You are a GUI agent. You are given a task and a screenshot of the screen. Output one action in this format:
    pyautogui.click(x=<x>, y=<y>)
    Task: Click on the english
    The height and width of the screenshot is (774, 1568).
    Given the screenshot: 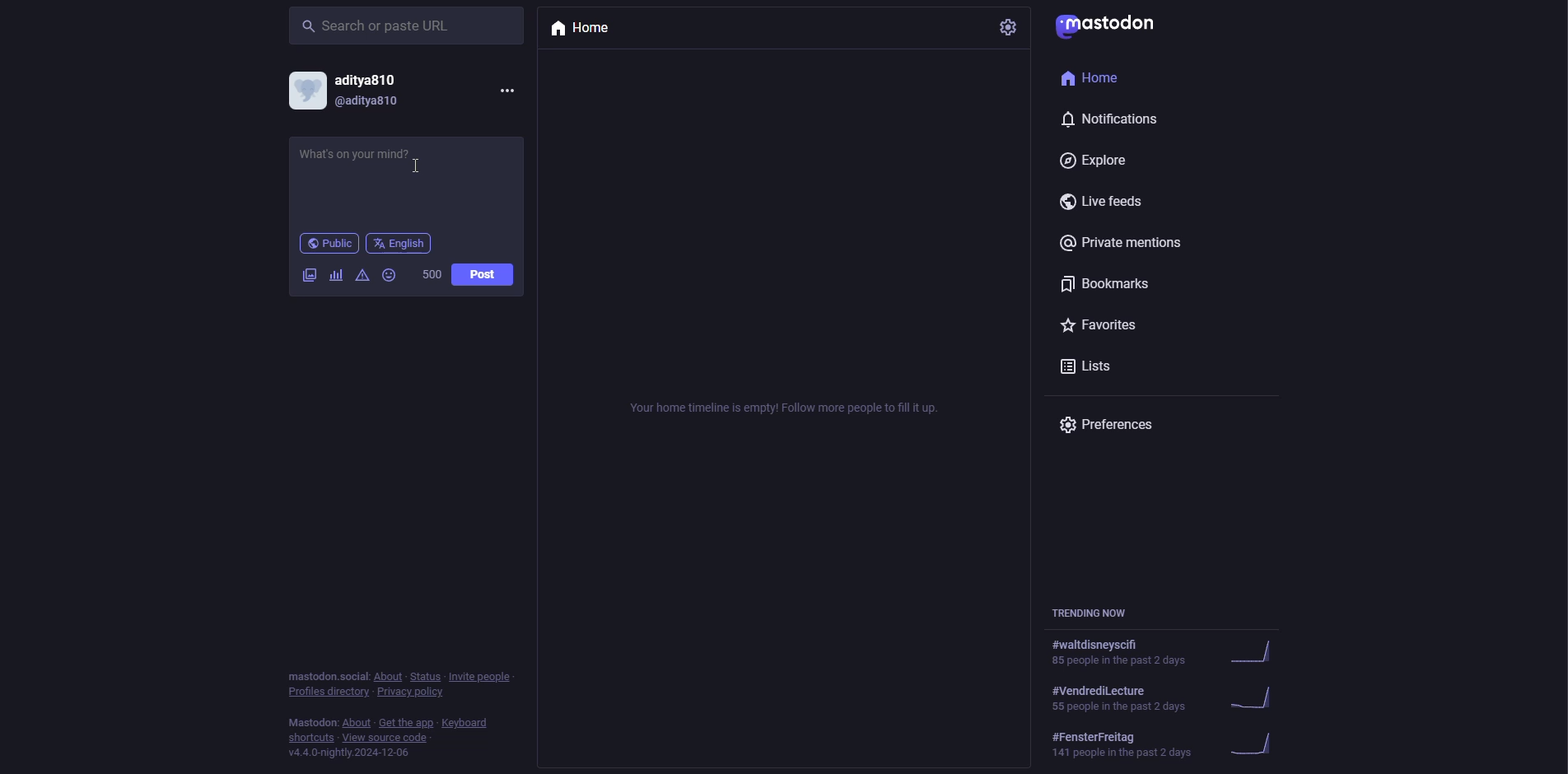 What is the action you would take?
    pyautogui.click(x=399, y=243)
    